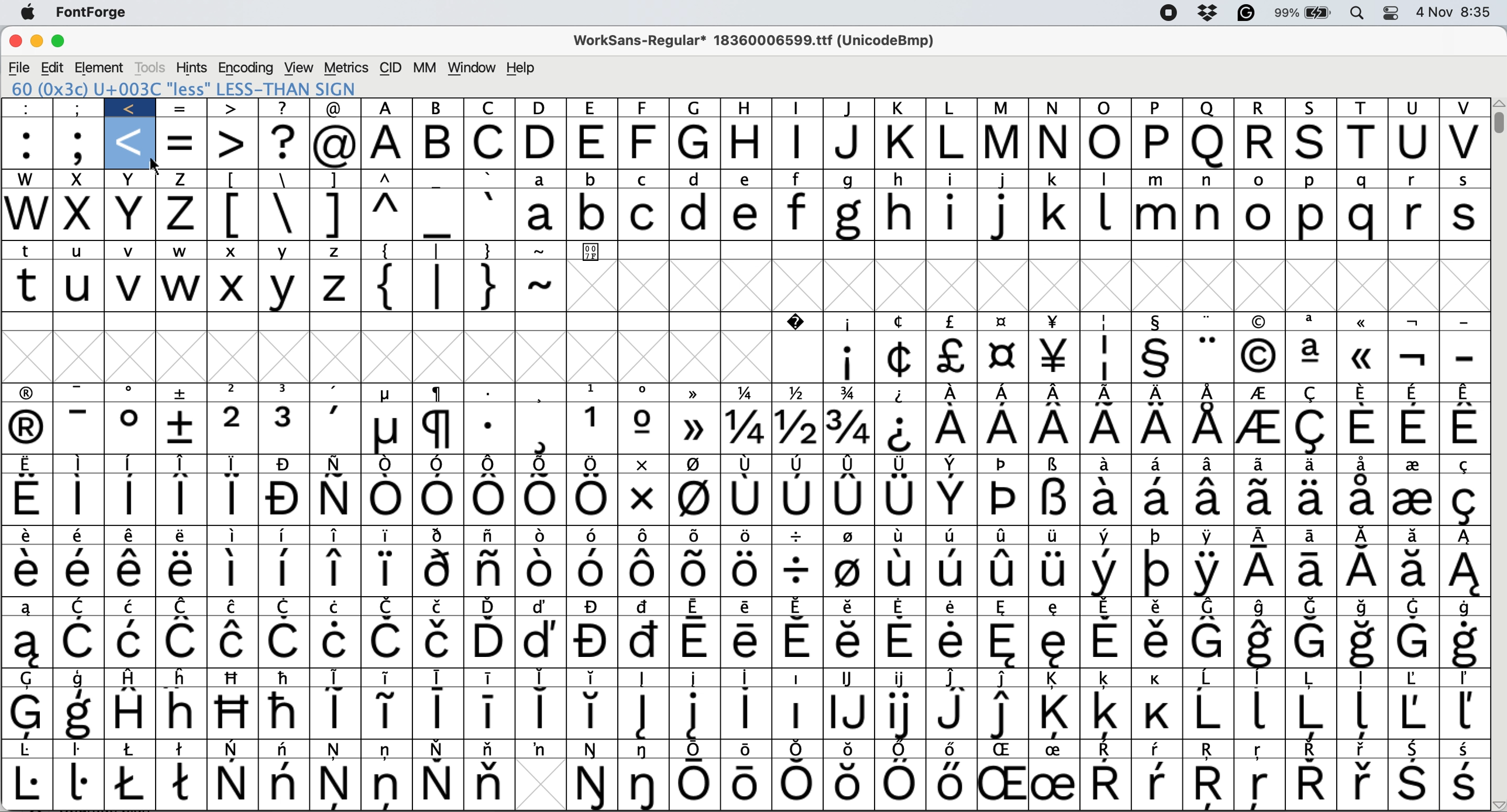 Image resolution: width=1507 pixels, height=812 pixels. I want to click on Y, so click(284, 248).